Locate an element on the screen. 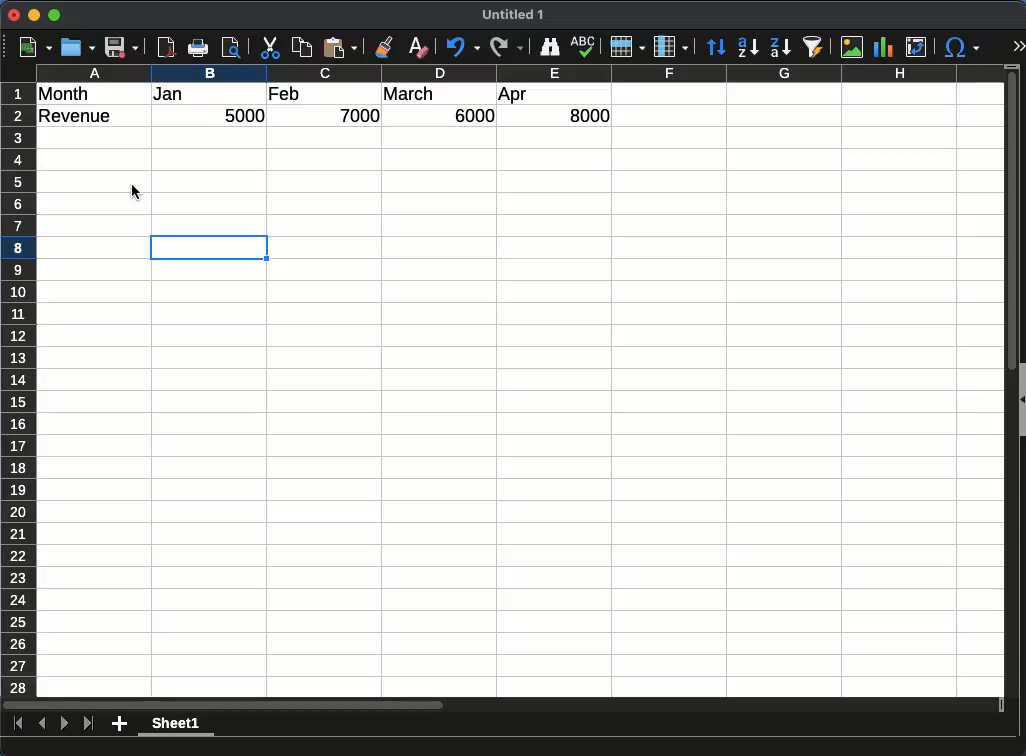 The image size is (1026, 756). column  is located at coordinates (671, 47).